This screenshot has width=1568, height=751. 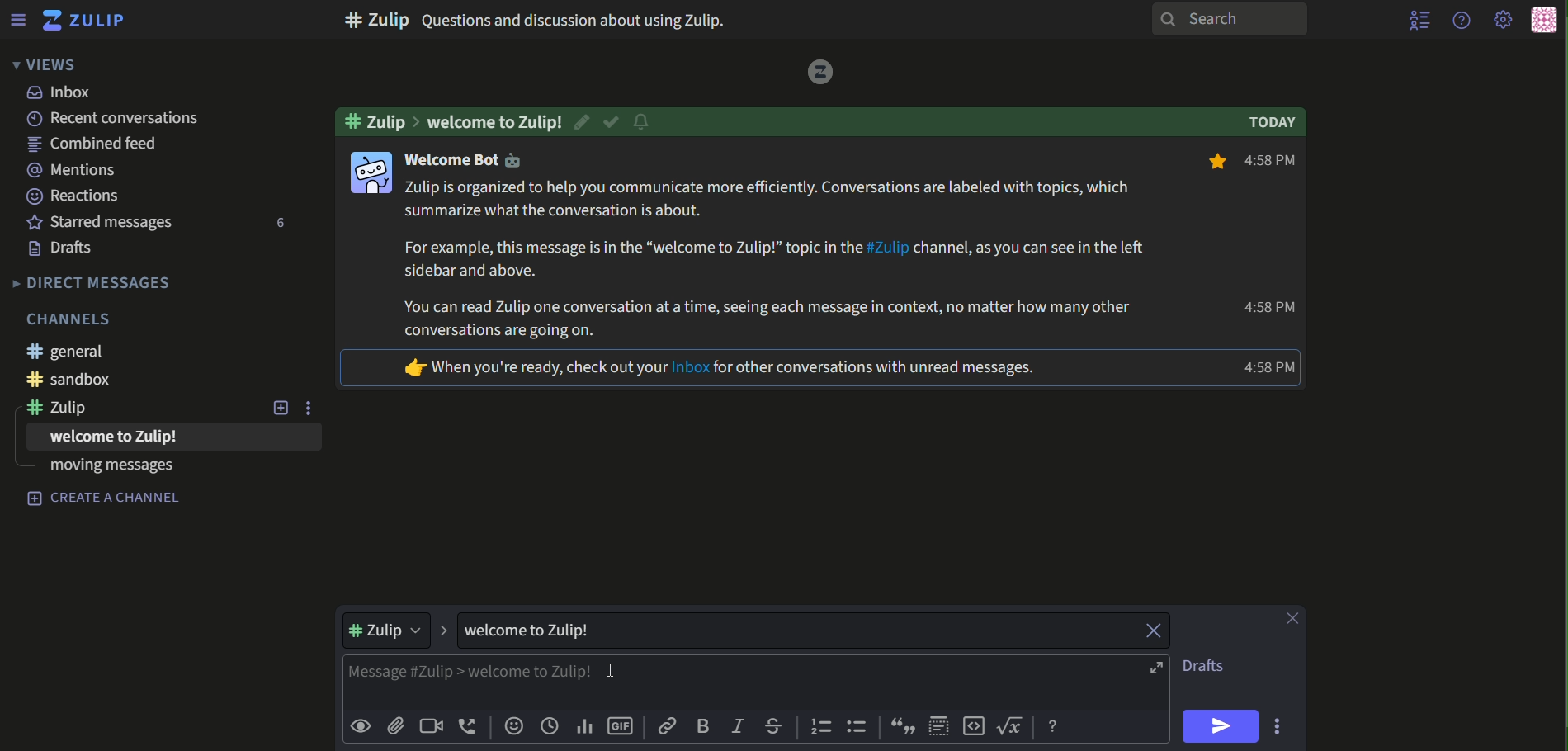 I want to click on text, so click(x=74, y=196).